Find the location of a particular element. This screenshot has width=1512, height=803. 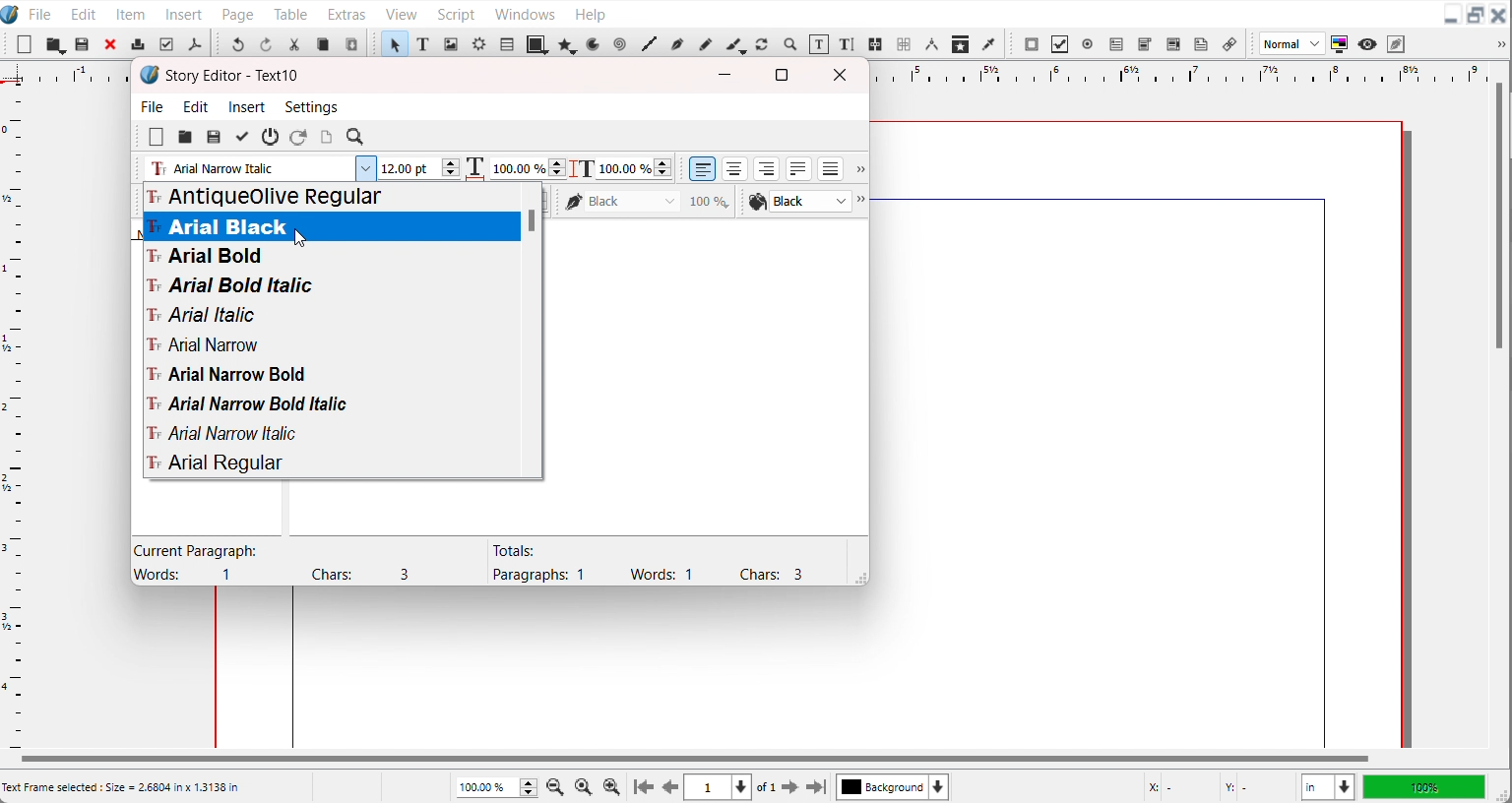

Preview is located at coordinates (1368, 44).